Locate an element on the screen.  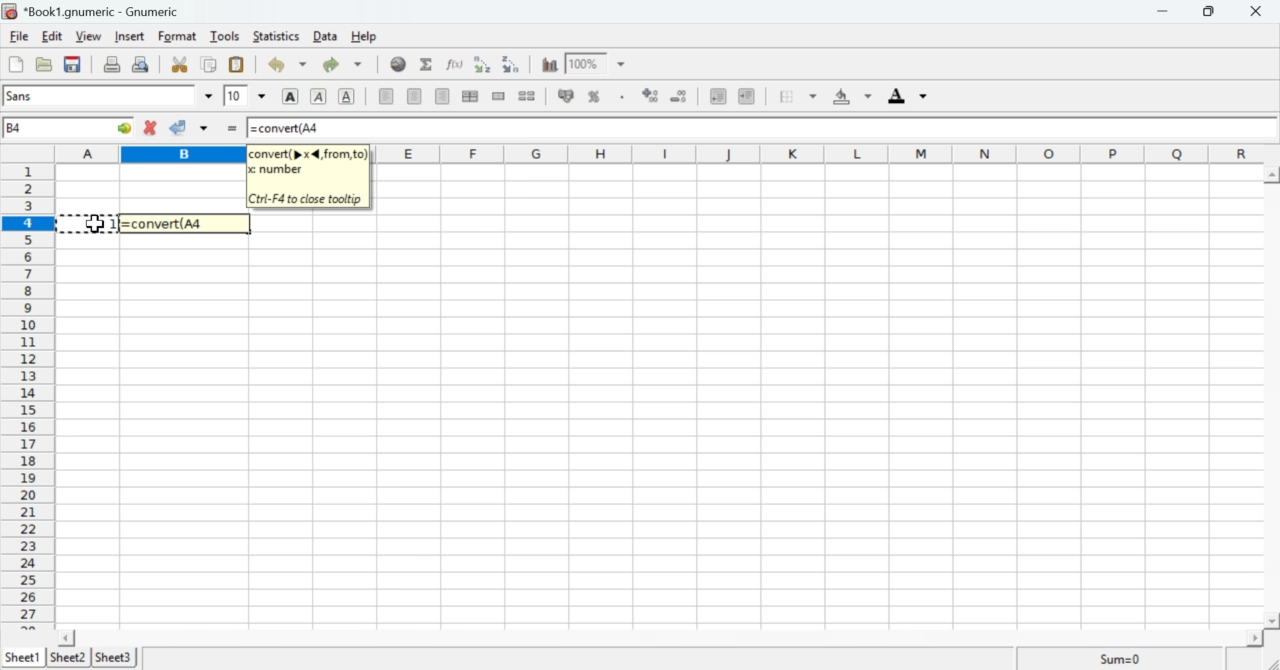
Cut selection is located at coordinates (178, 65).